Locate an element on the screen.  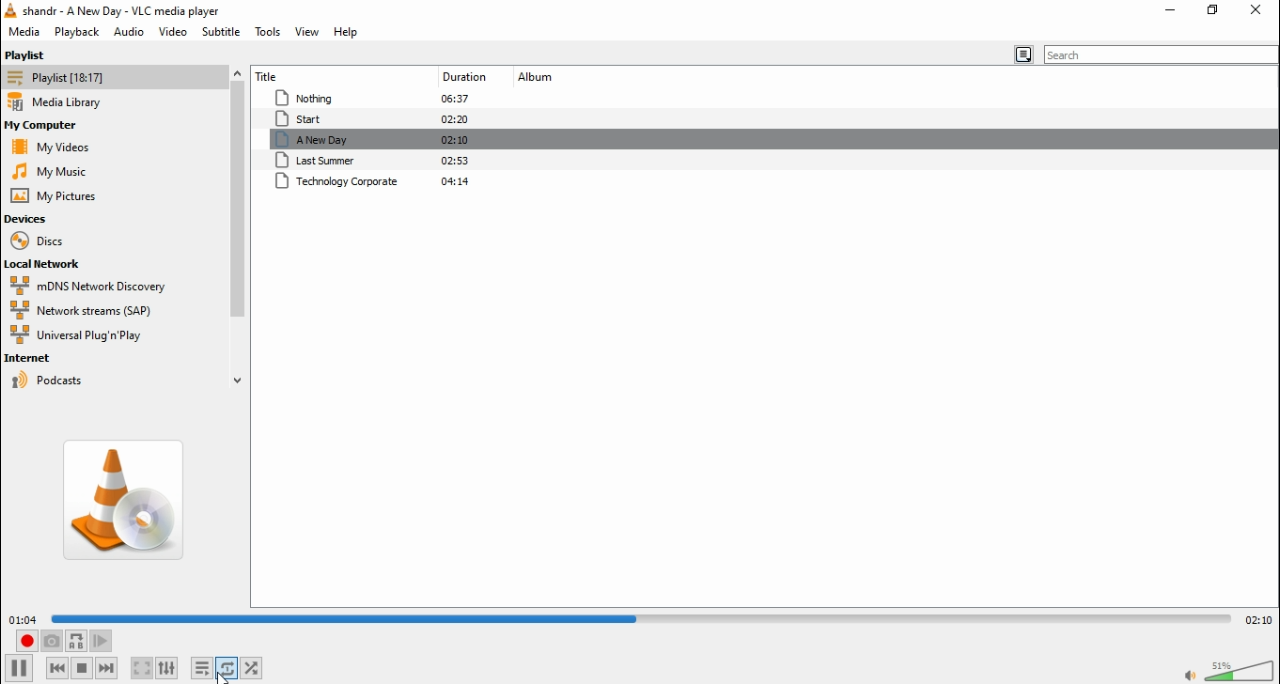
previous media in playlist, skips backward when held is located at coordinates (57, 667).